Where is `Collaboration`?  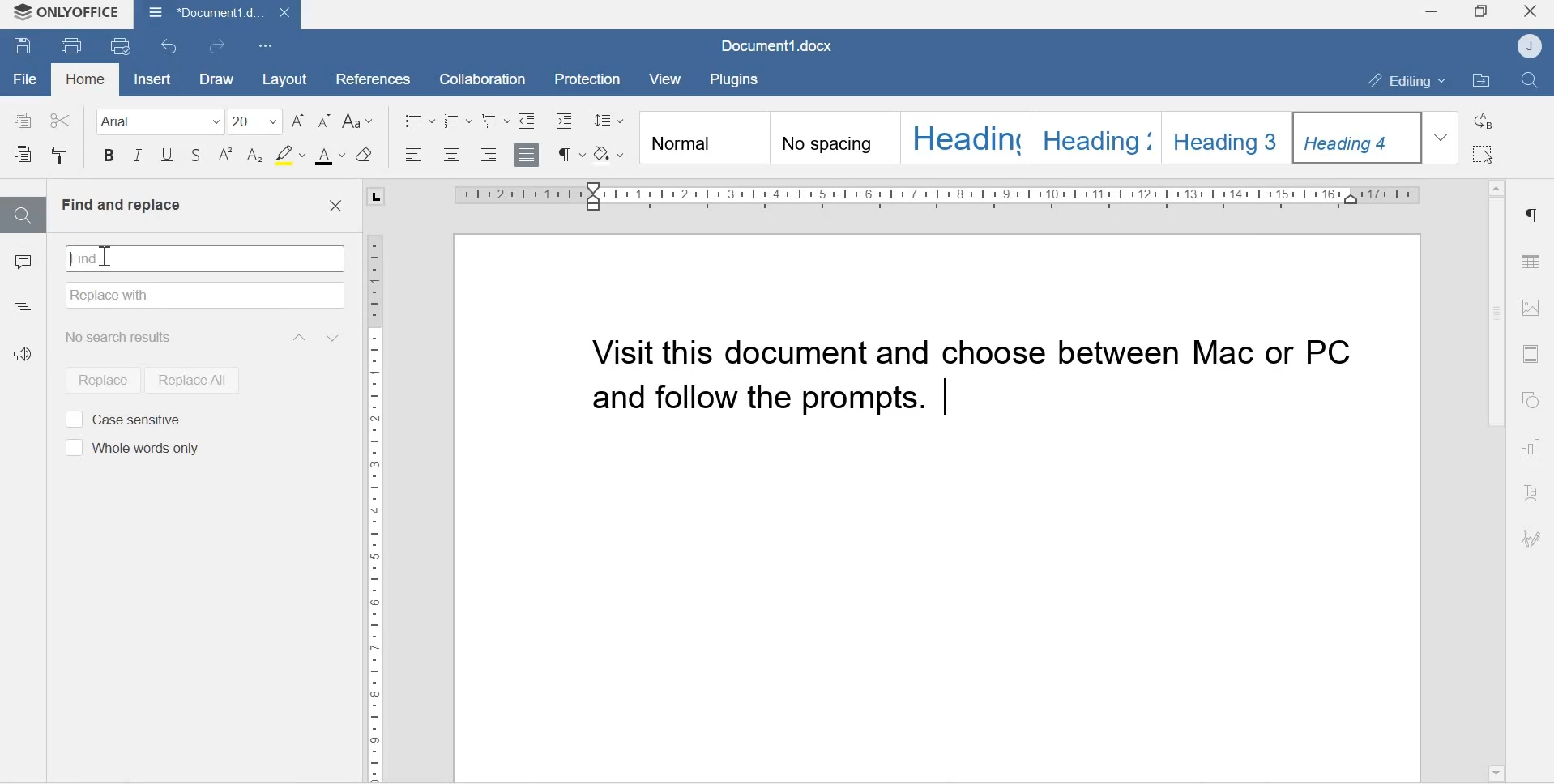 Collaboration is located at coordinates (476, 78).